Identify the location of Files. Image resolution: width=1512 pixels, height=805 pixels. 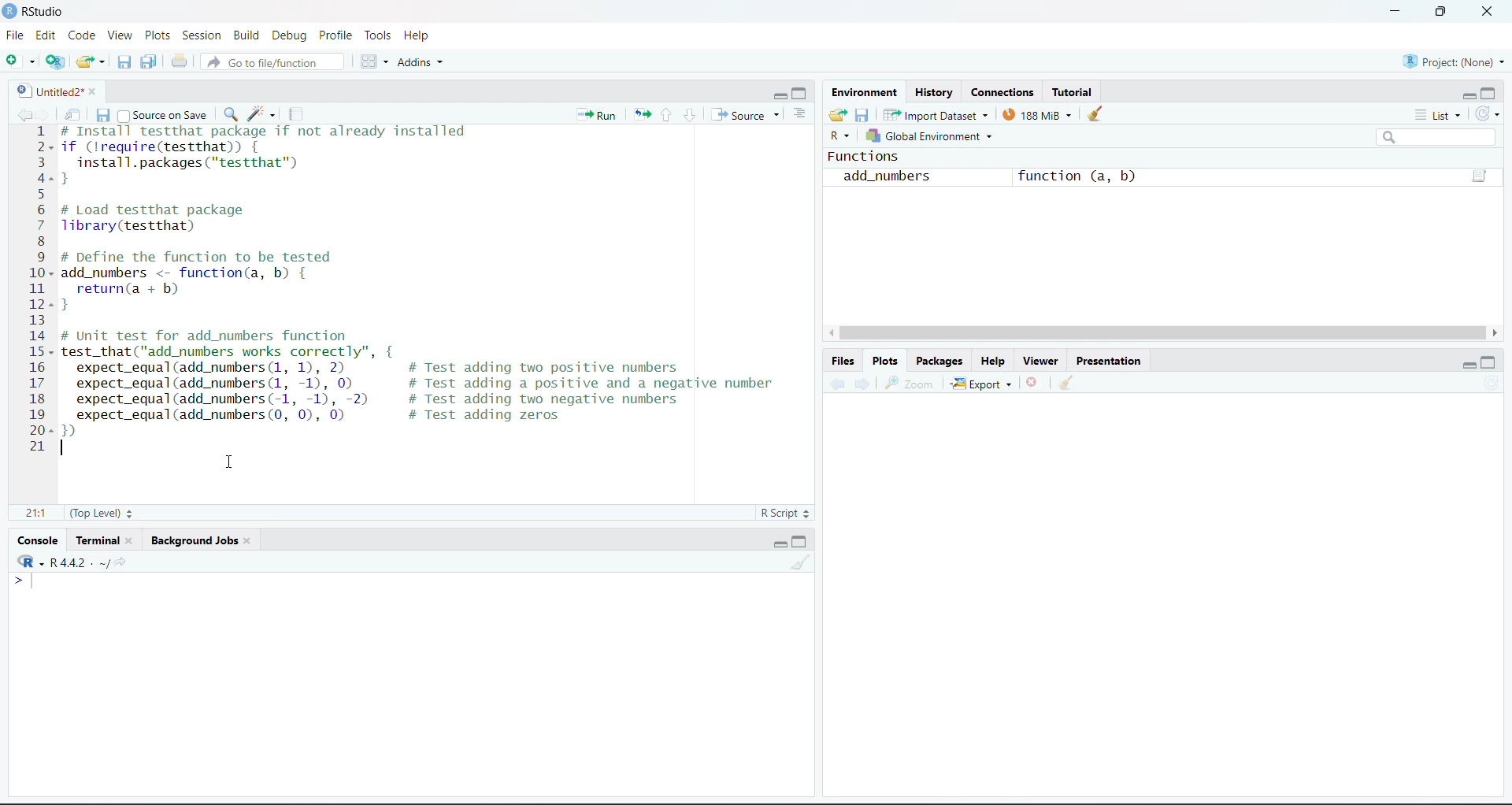
(843, 361).